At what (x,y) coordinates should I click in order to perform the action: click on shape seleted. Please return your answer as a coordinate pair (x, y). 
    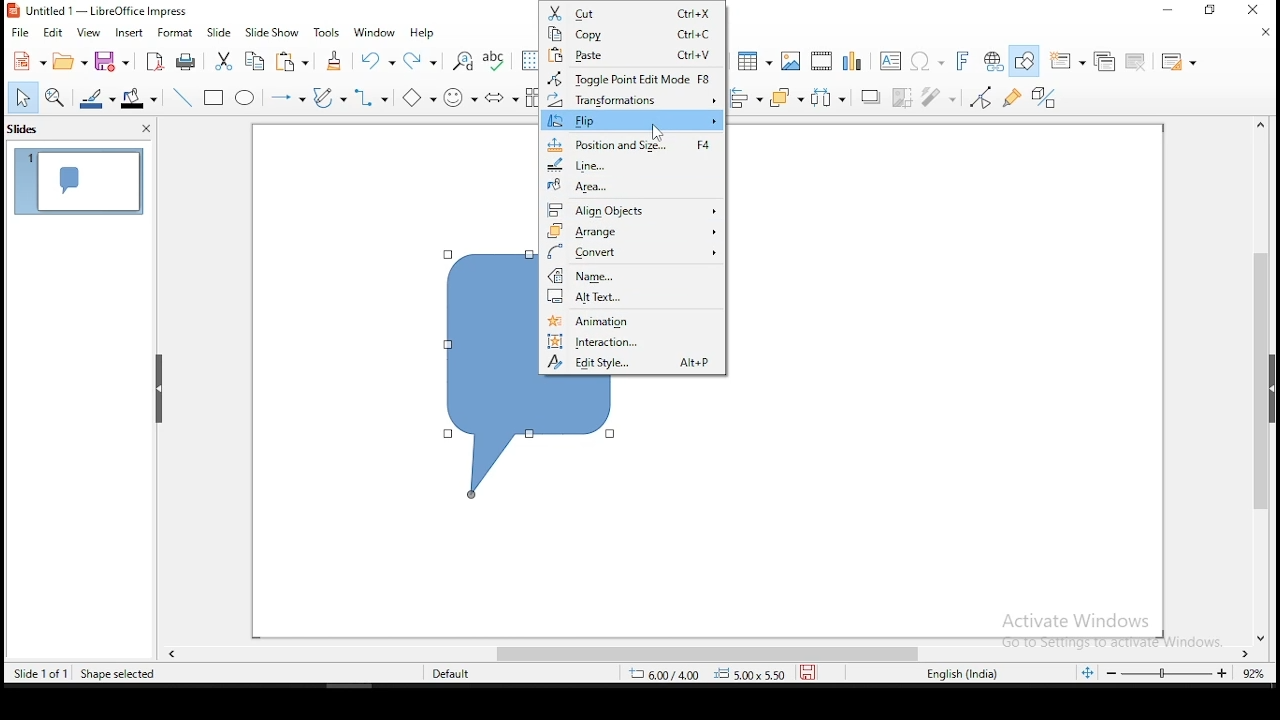
    Looking at the image, I should click on (119, 674).